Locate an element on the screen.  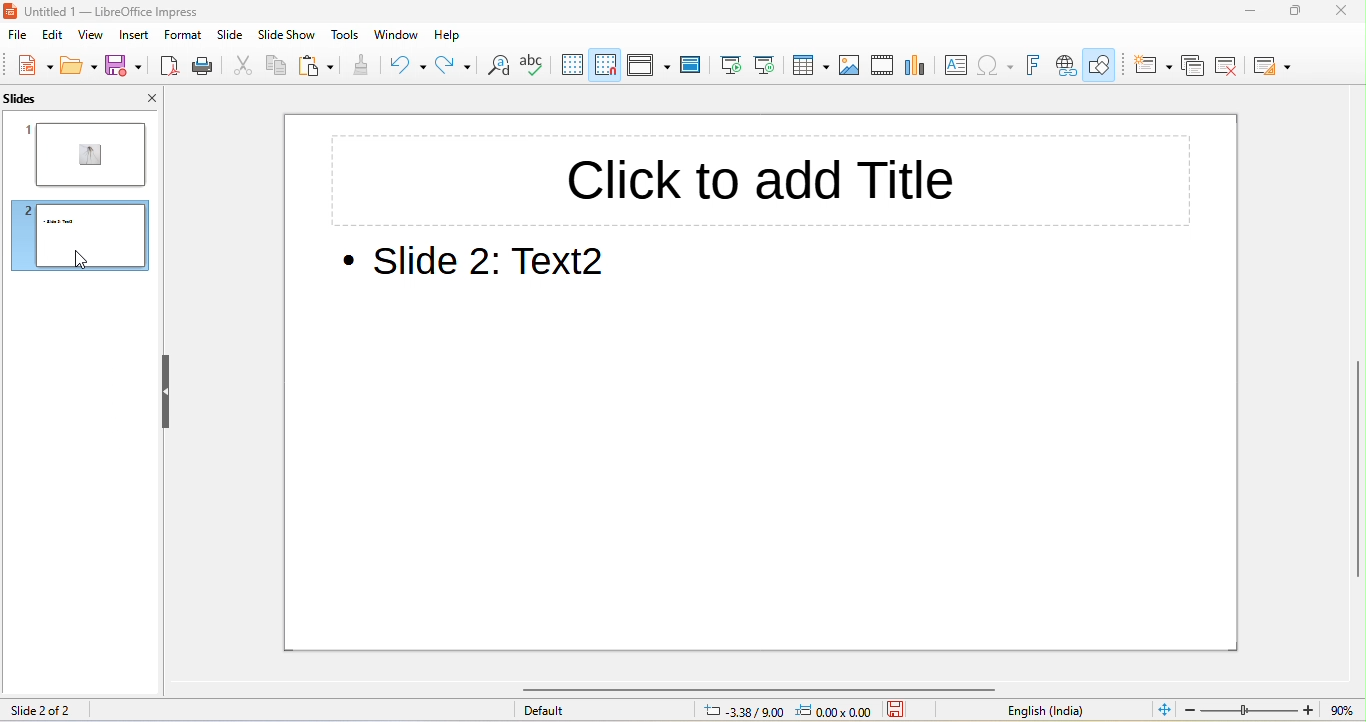
duplicate slide is located at coordinates (1193, 65).